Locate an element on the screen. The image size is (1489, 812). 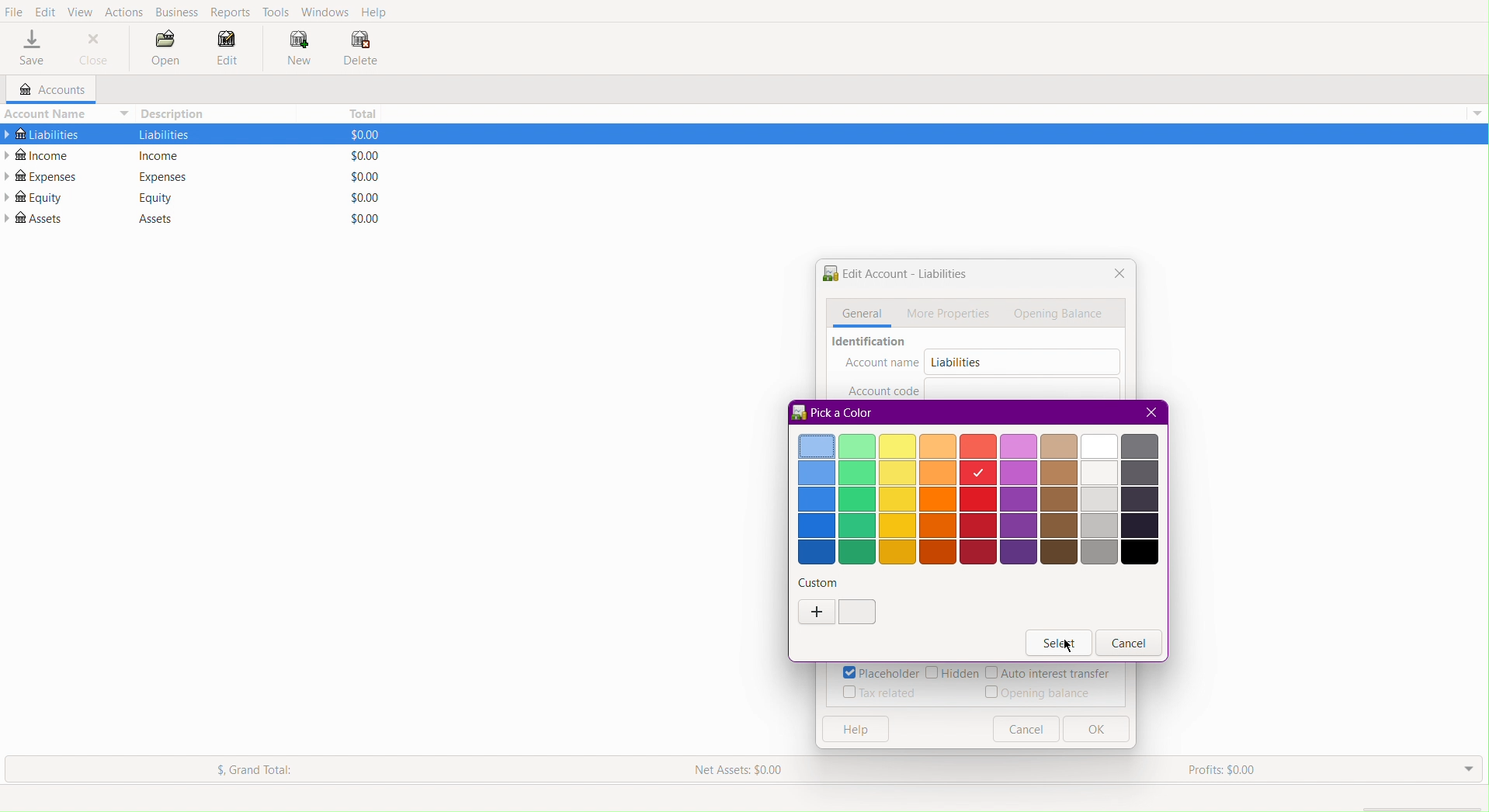
Open is located at coordinates (166, 50).